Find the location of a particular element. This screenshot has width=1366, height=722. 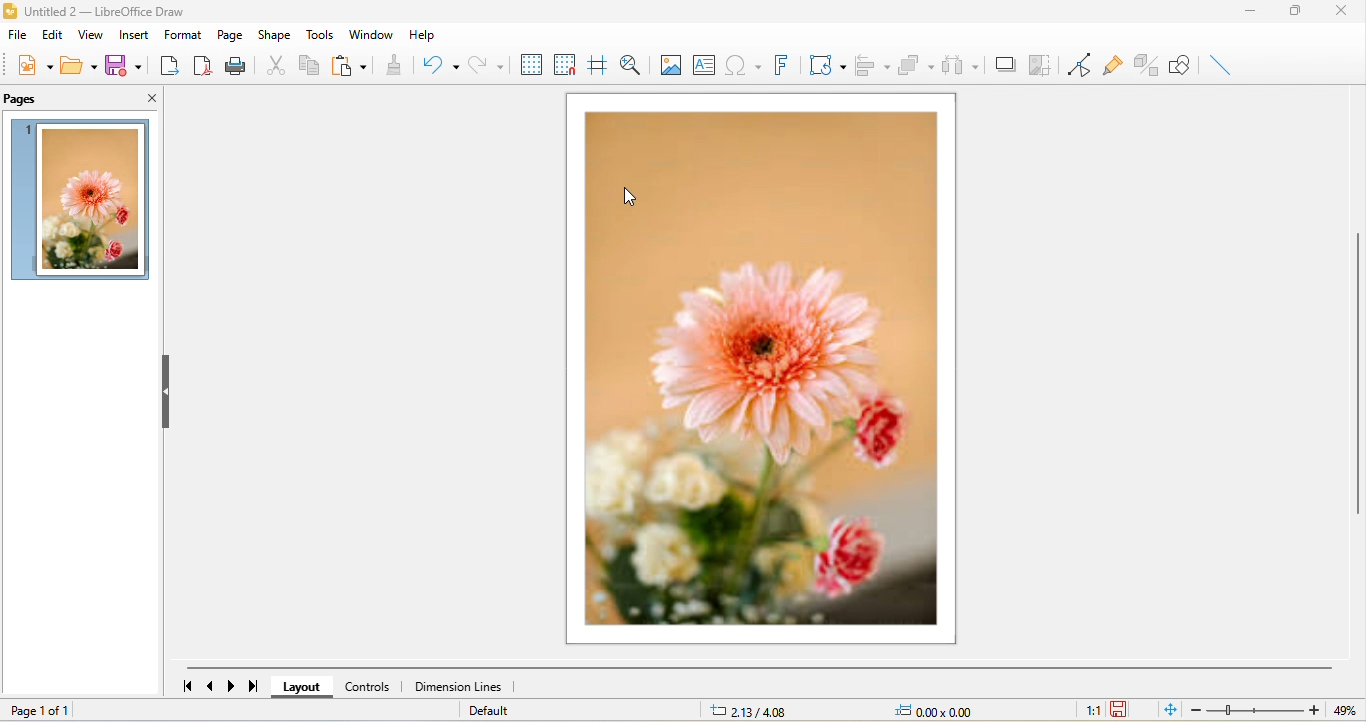

snap to grid is located at coordinates (564, 61).